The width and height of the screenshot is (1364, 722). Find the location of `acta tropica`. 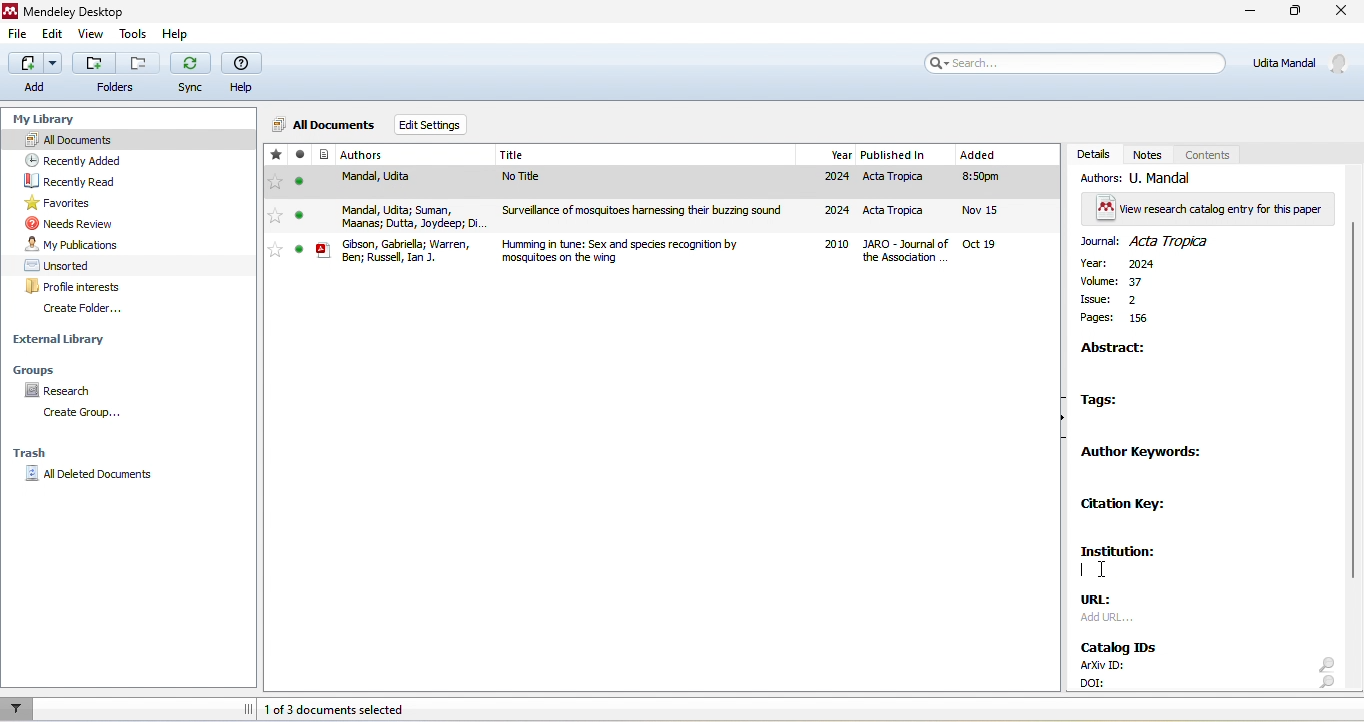

acta tropica is located at coordinates (901, 213).